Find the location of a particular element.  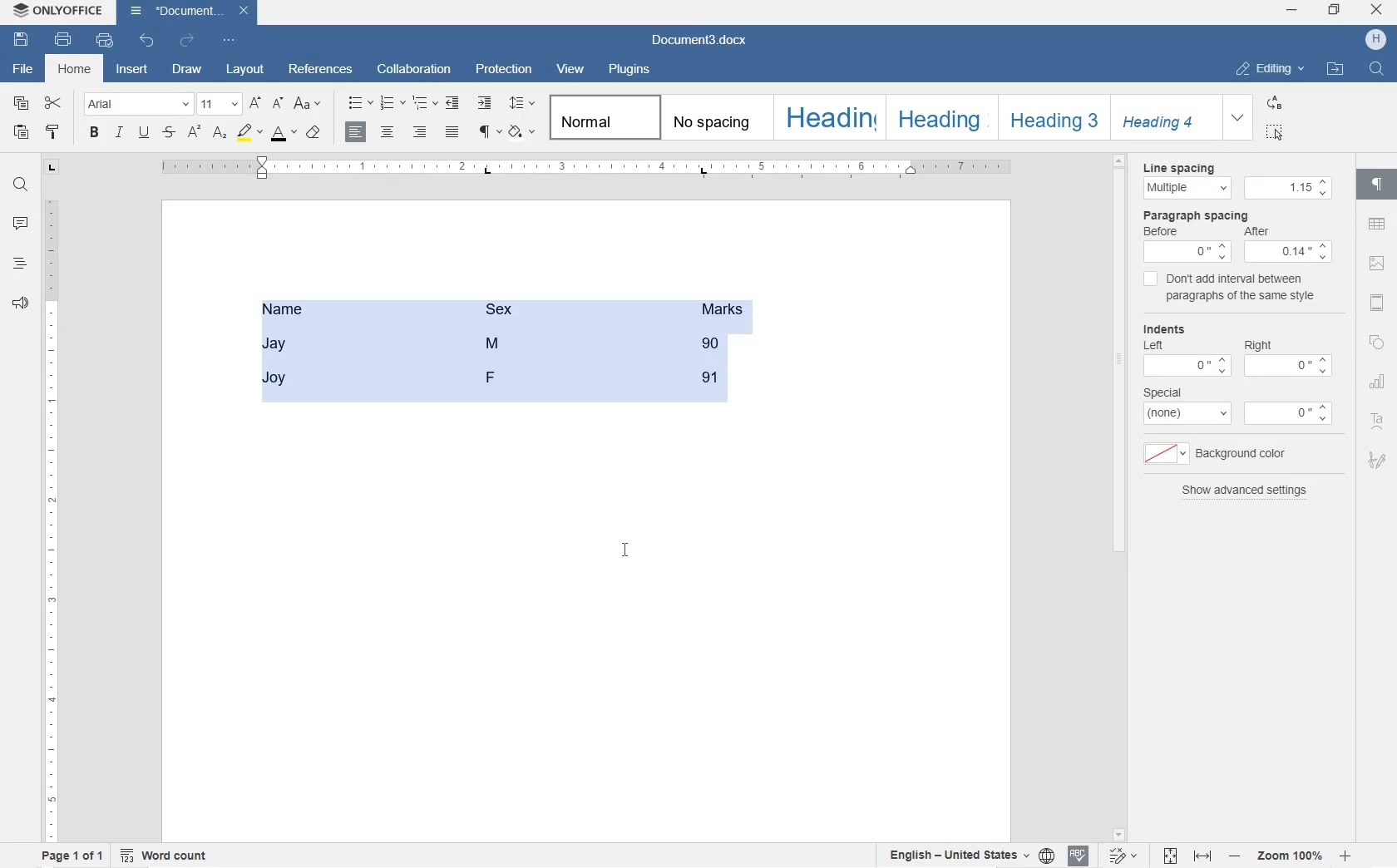

TRACK CHANGES is located at coordinates (1123, 855).